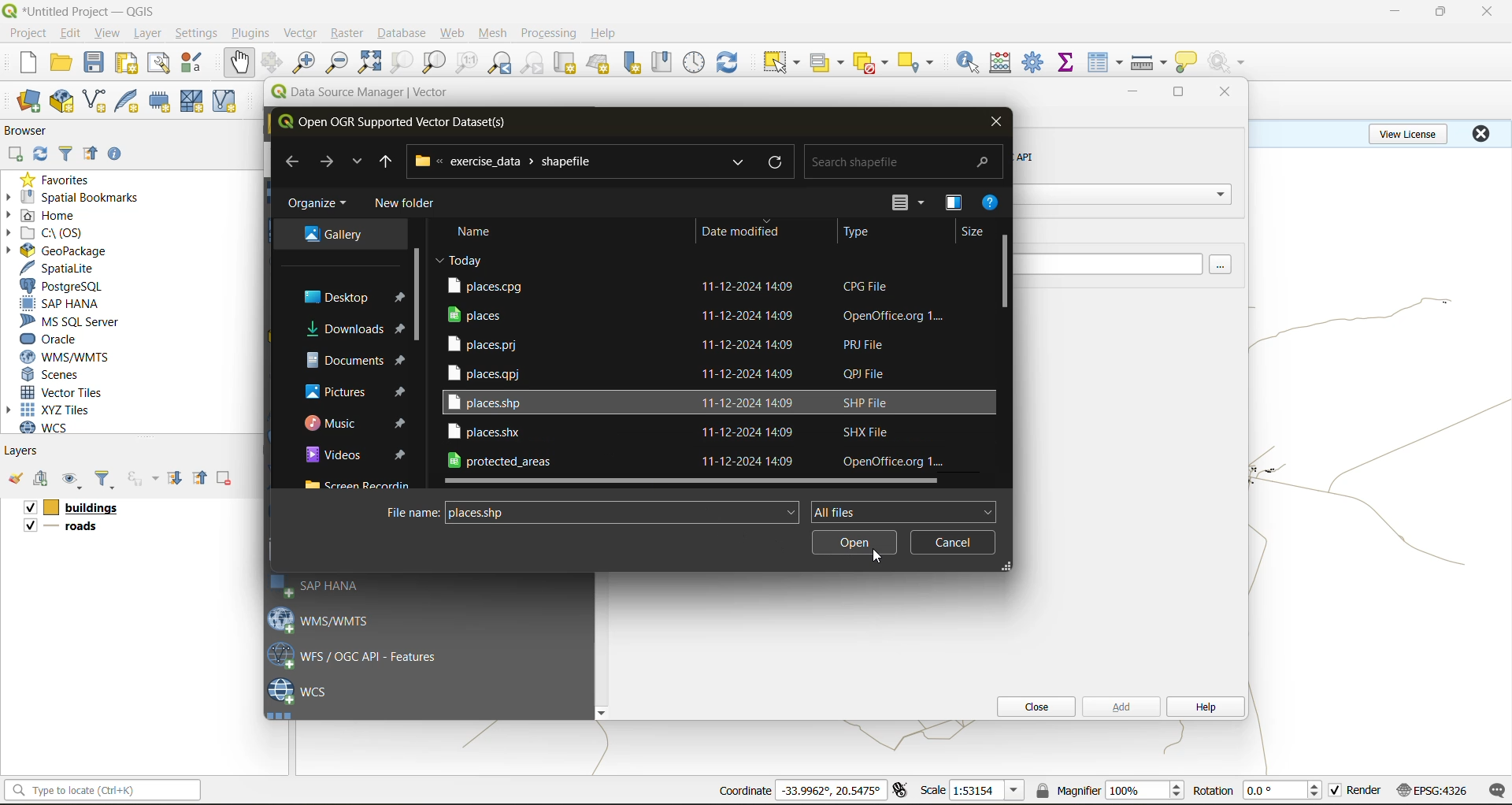  What do you see at coordinates (372, 95) in the screenshot?
I see `data source manager` at bounding box center [372, 95].